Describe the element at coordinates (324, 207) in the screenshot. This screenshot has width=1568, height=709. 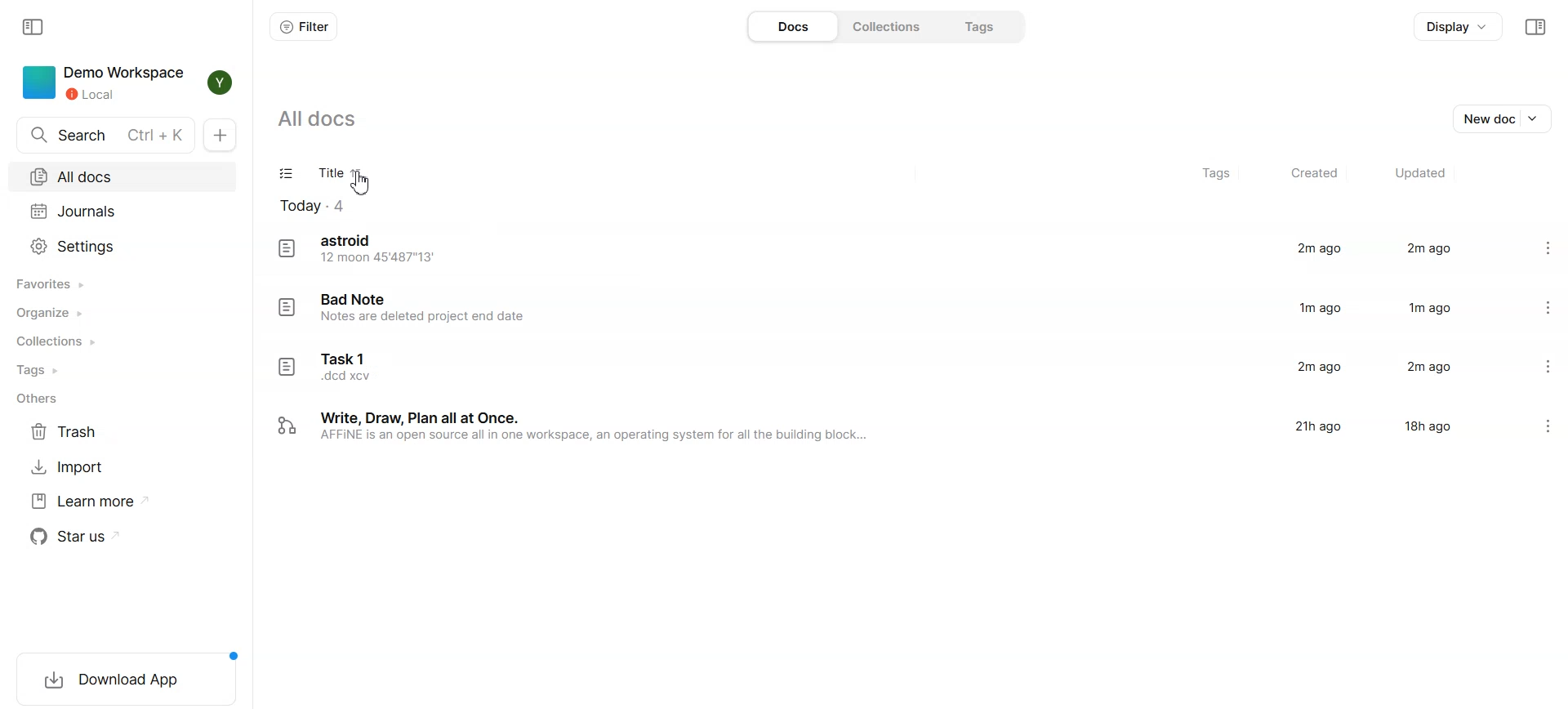
I see `Today` at that location.